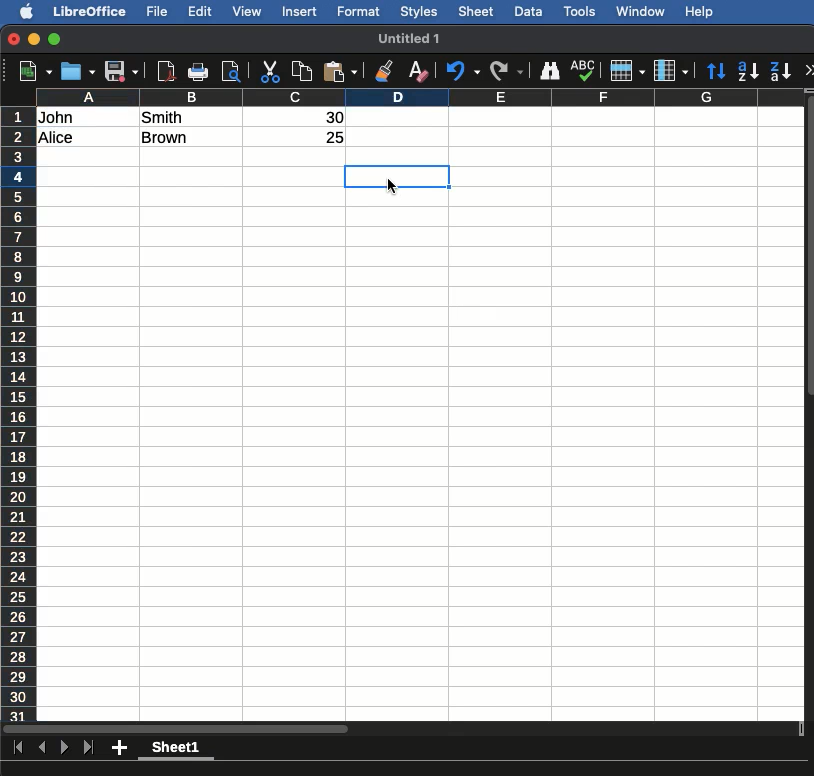 This screenshot has height=776, width=814. I want to click on New, so click(35, 69).